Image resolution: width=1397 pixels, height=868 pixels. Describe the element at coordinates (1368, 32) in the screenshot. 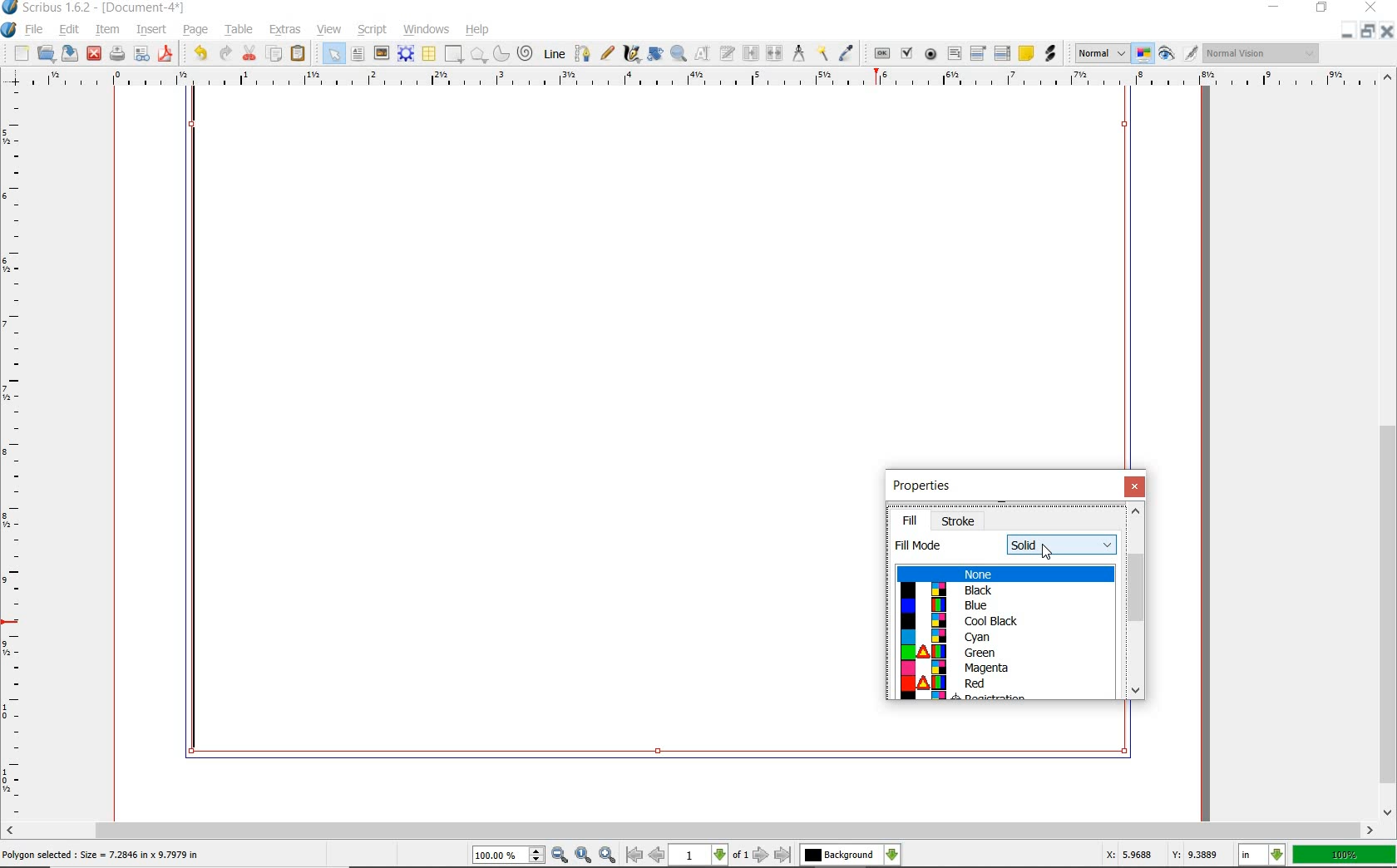

I see `restore` at that location.